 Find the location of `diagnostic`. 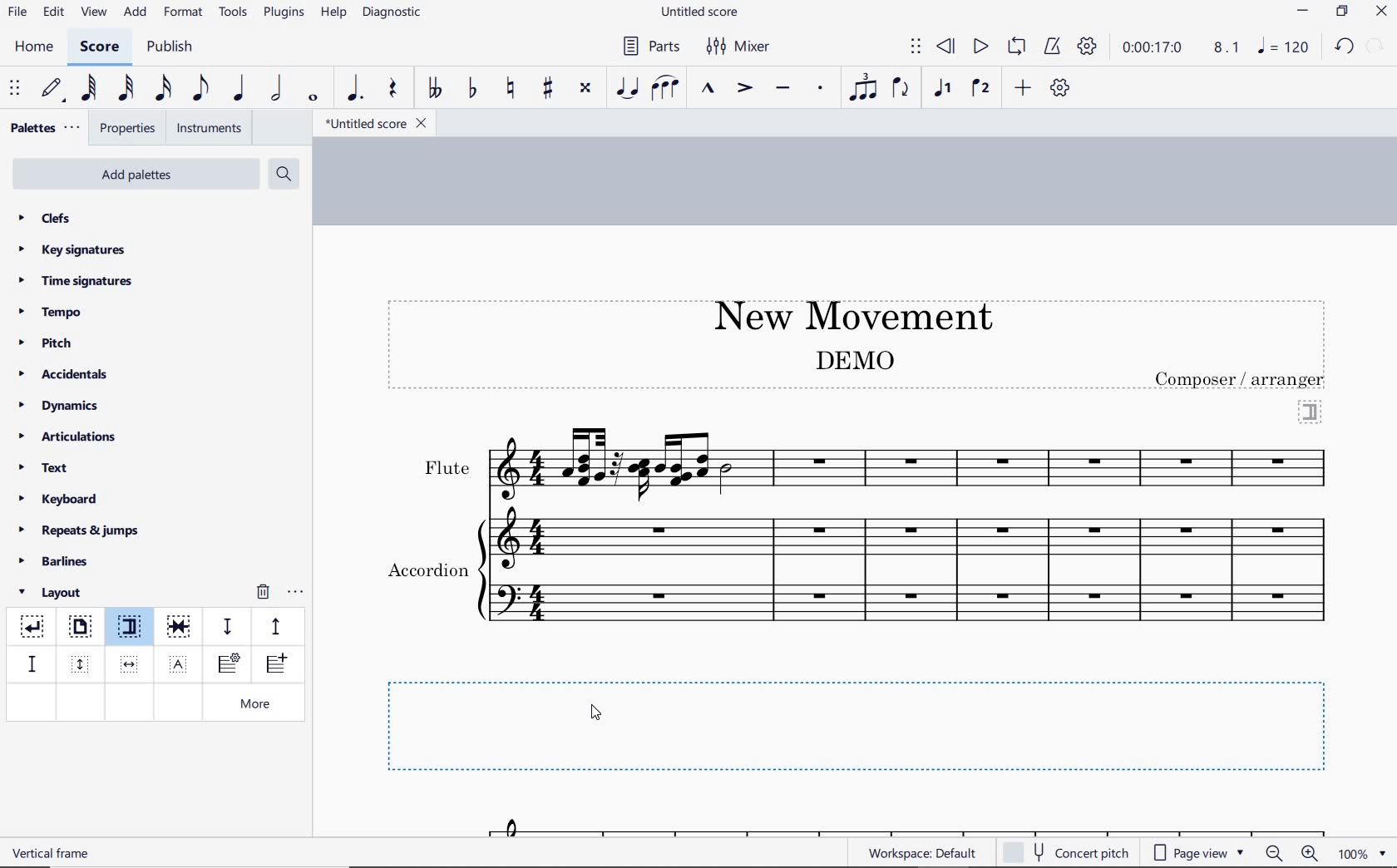

diagnostic is located at coordinates (394, 14).